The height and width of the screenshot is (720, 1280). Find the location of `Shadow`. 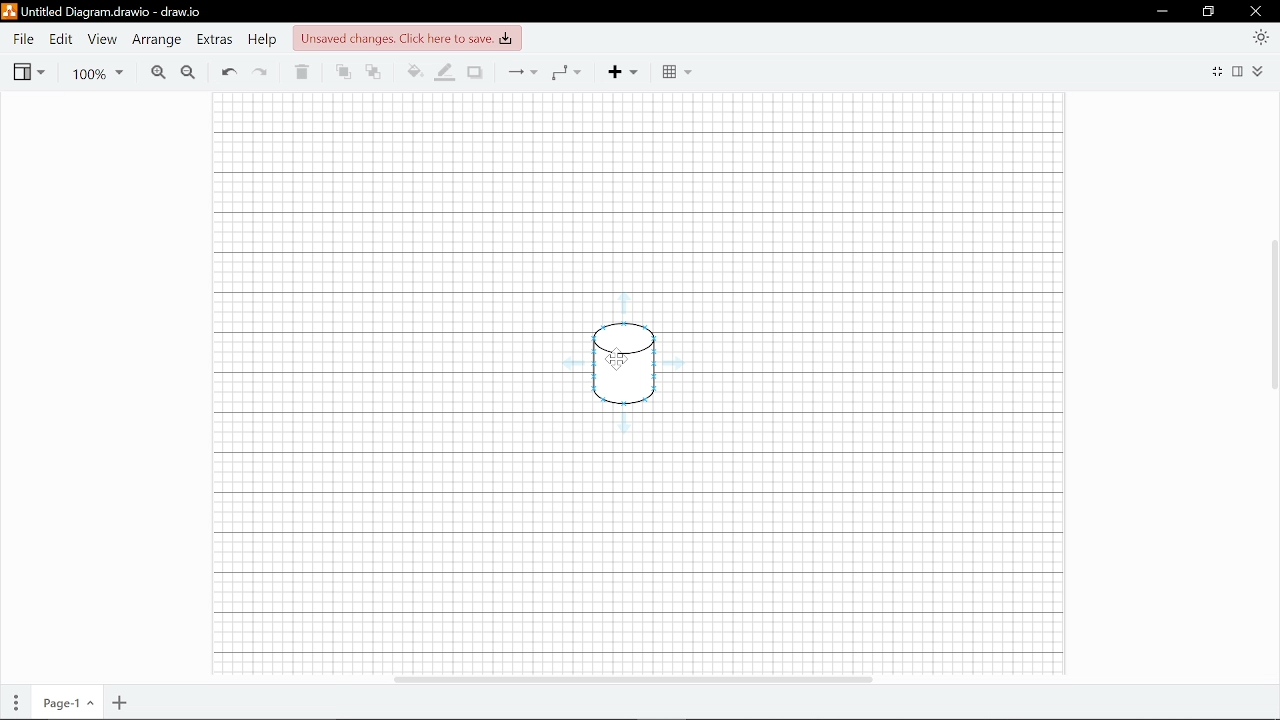

Shadow is located at coordinates (474, 72).